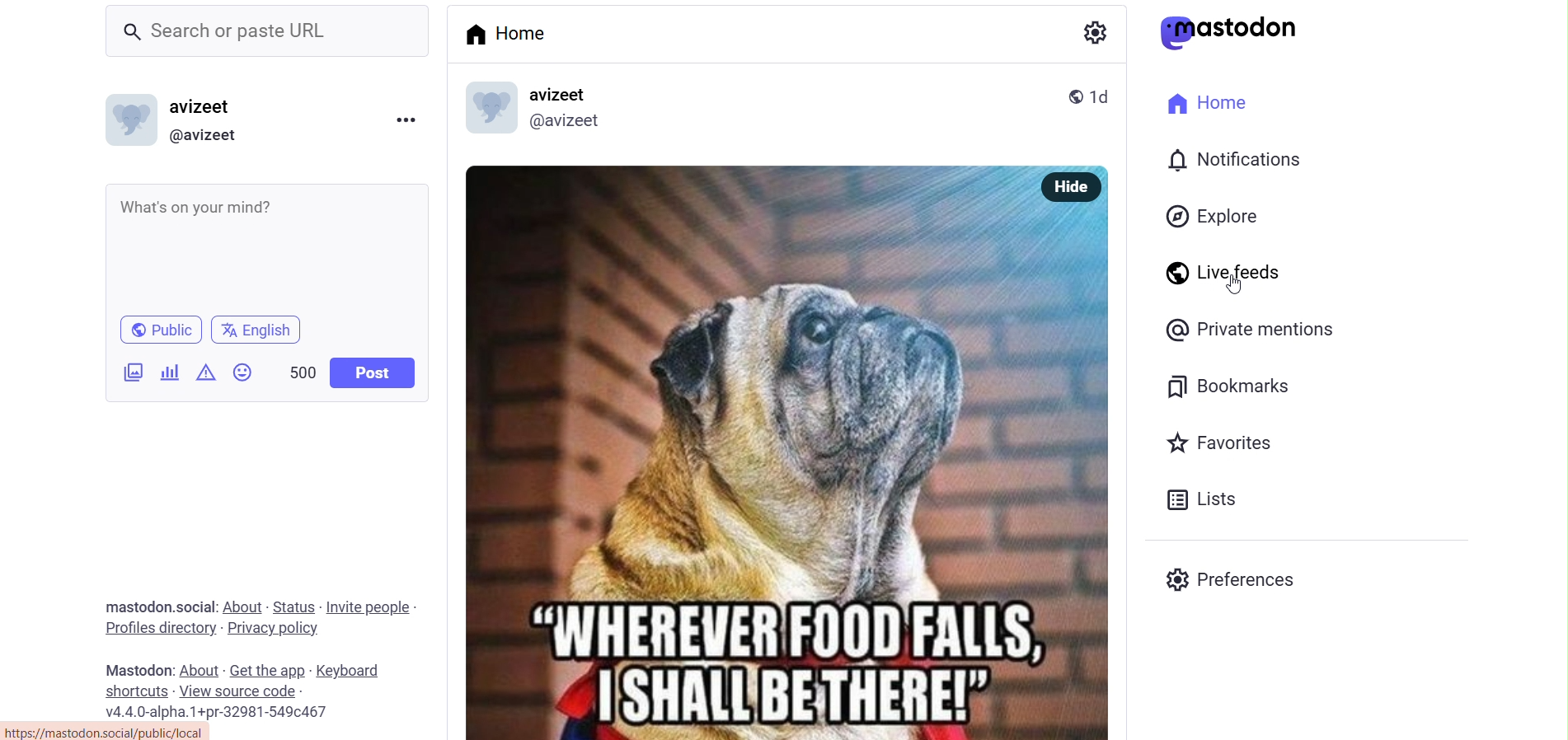 This screenshot has height=740, width=1568. What do you see at coordinates (527, 34) in the screenshot?
I see `home` at bounding box center [527, 34].